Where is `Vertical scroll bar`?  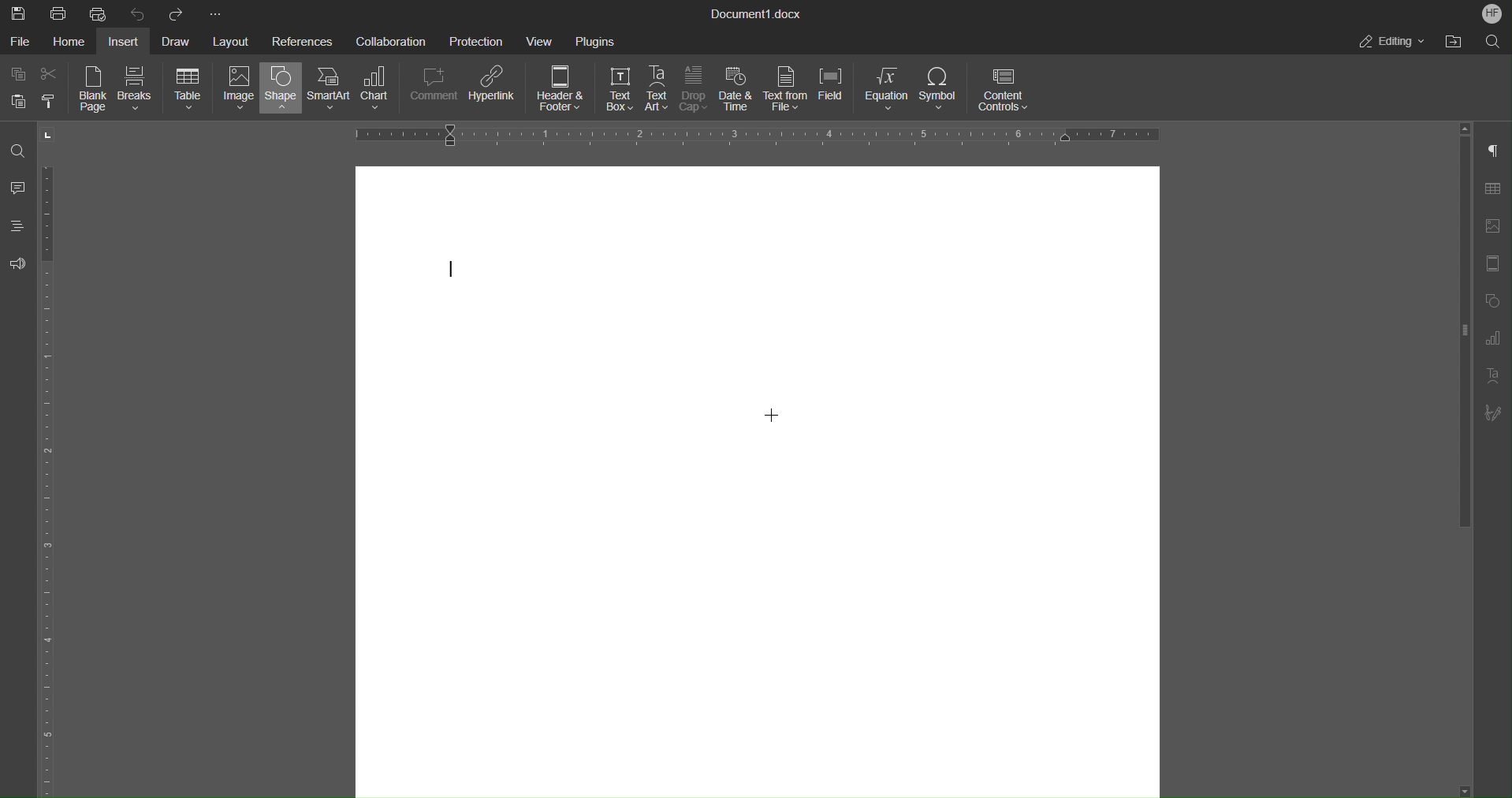
Vertical scroll bar is located at coordinates (1462, 337).